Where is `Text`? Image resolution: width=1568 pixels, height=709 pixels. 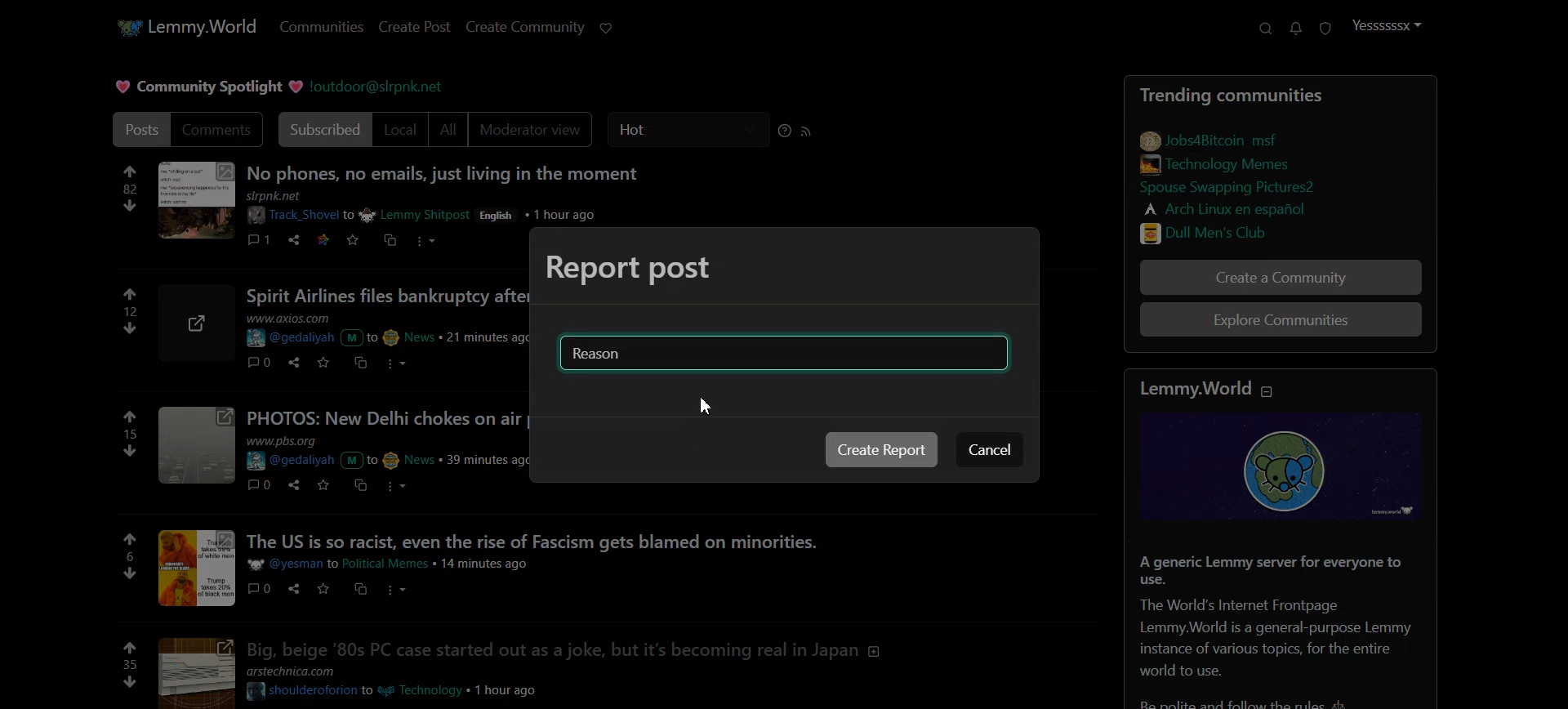
Text is located at coordinates (205, 87).